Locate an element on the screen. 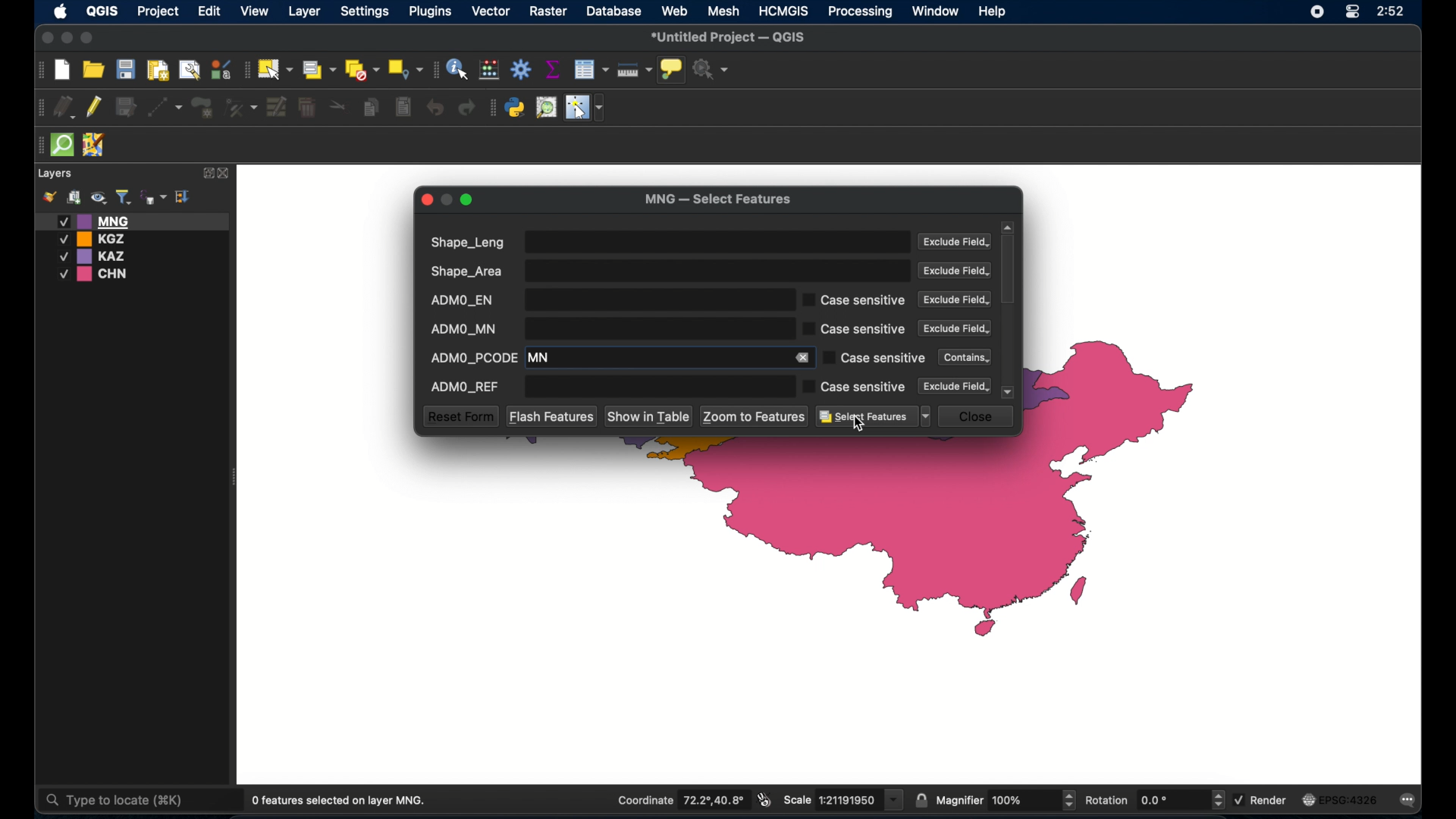  vertex tool is located at coordinates (242, 106).